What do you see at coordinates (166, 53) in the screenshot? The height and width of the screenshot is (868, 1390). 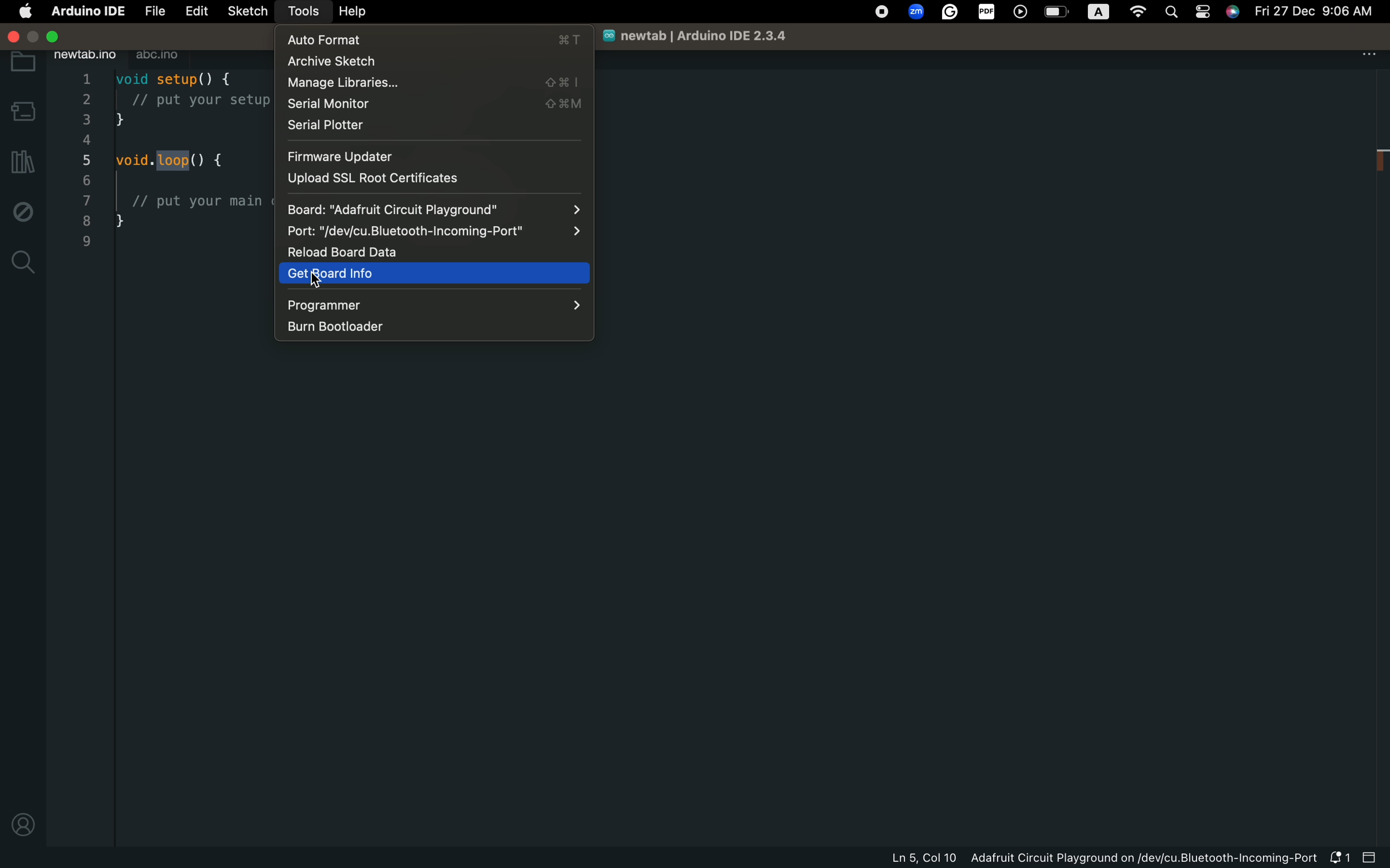 I see `abc.ino` at bounding box center [166, 53].